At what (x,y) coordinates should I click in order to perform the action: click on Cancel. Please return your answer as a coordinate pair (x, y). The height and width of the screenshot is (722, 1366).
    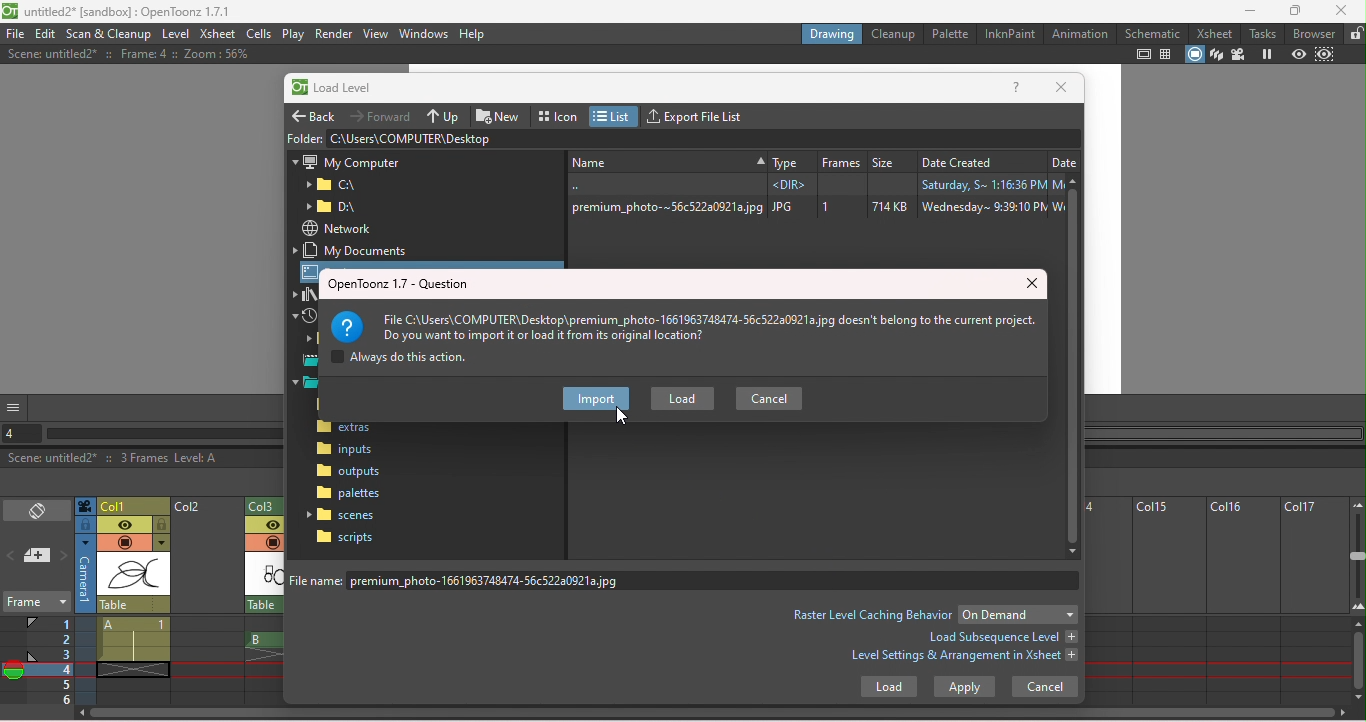
    Looking at the image, I should click on (769, 397).